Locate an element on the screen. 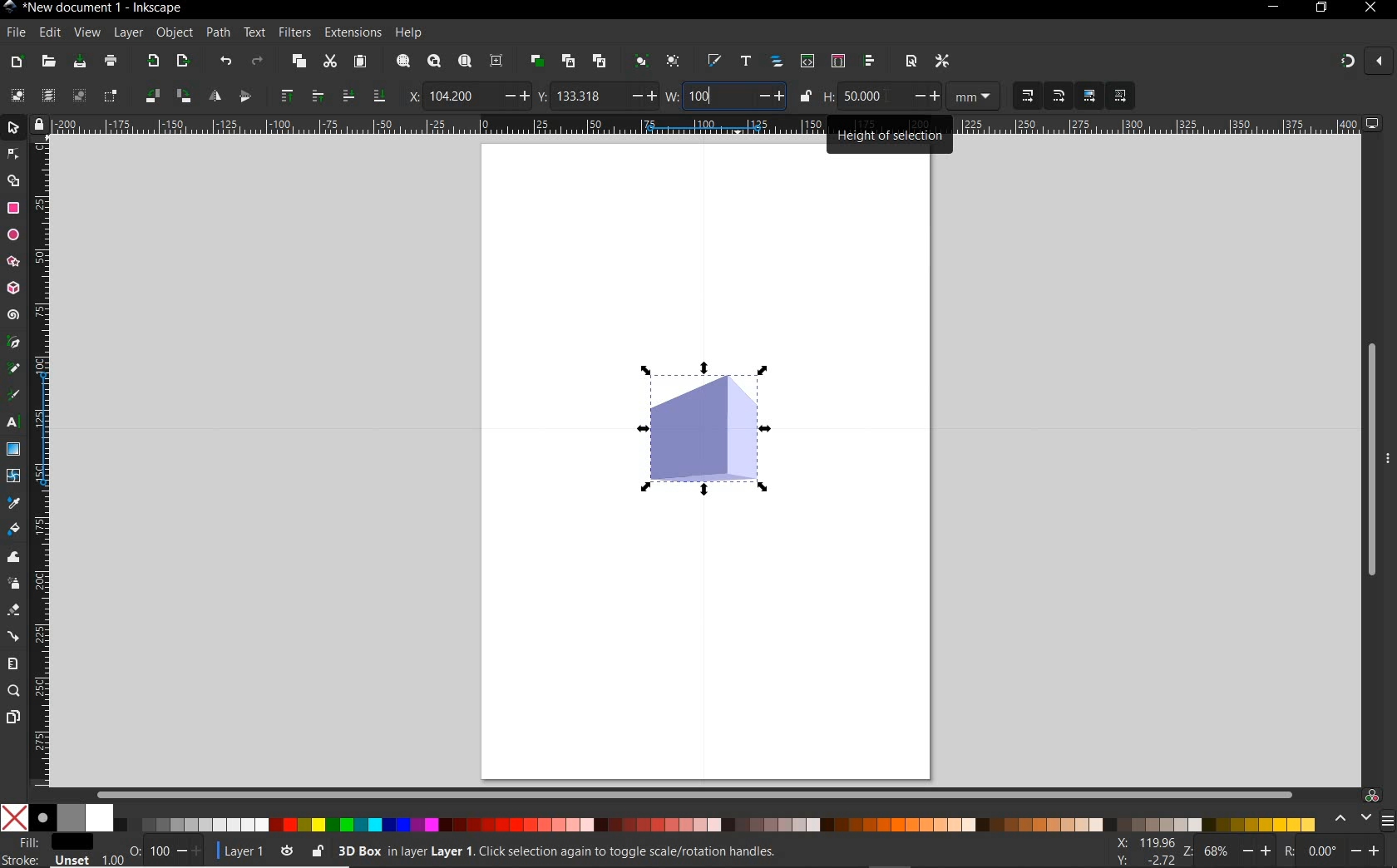 The width and height of the screenshot is (1397, 868). 0 is located at coordinates (1321, 851).